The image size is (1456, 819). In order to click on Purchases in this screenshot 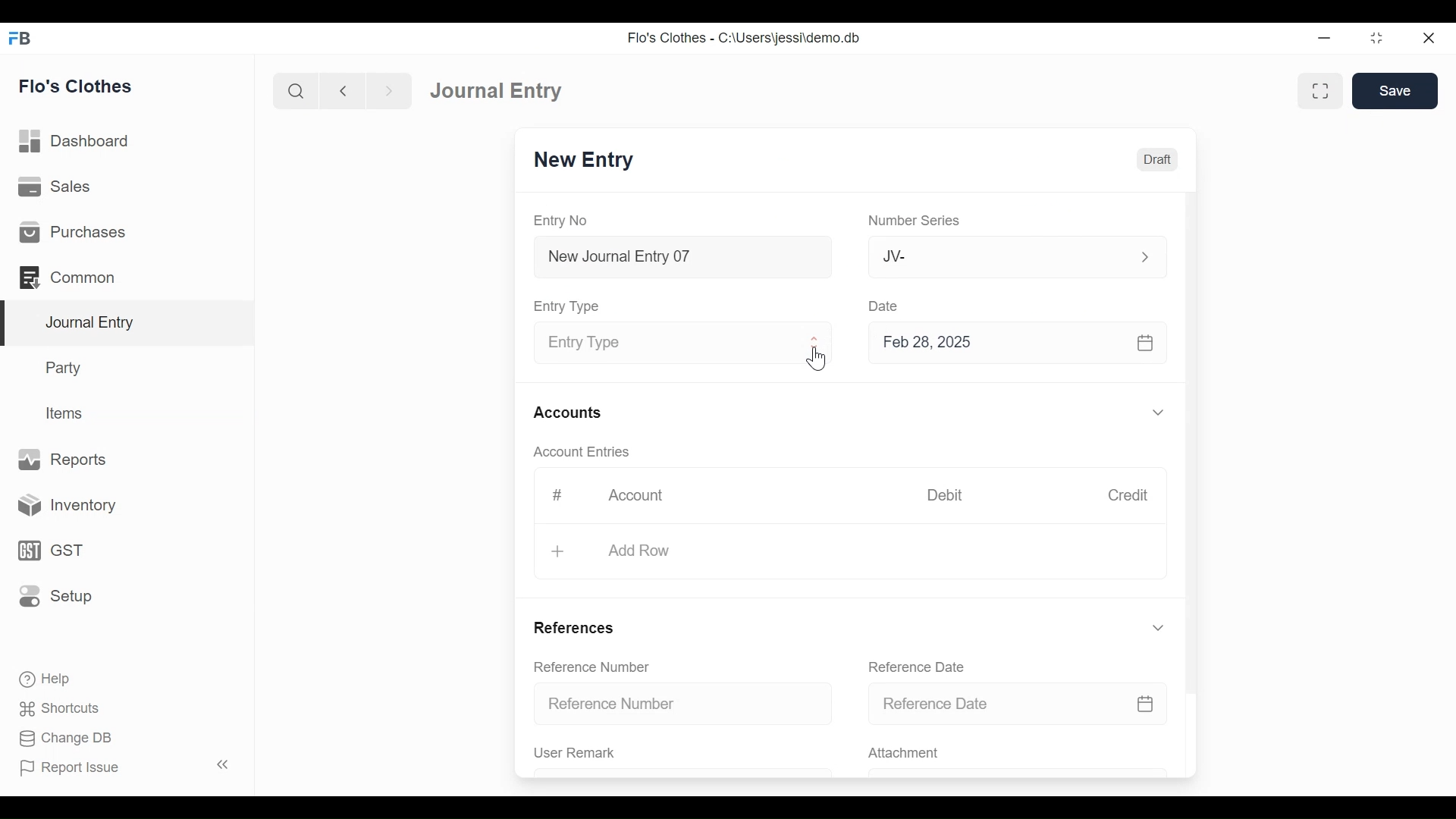, I will do `click(73, 231)`.